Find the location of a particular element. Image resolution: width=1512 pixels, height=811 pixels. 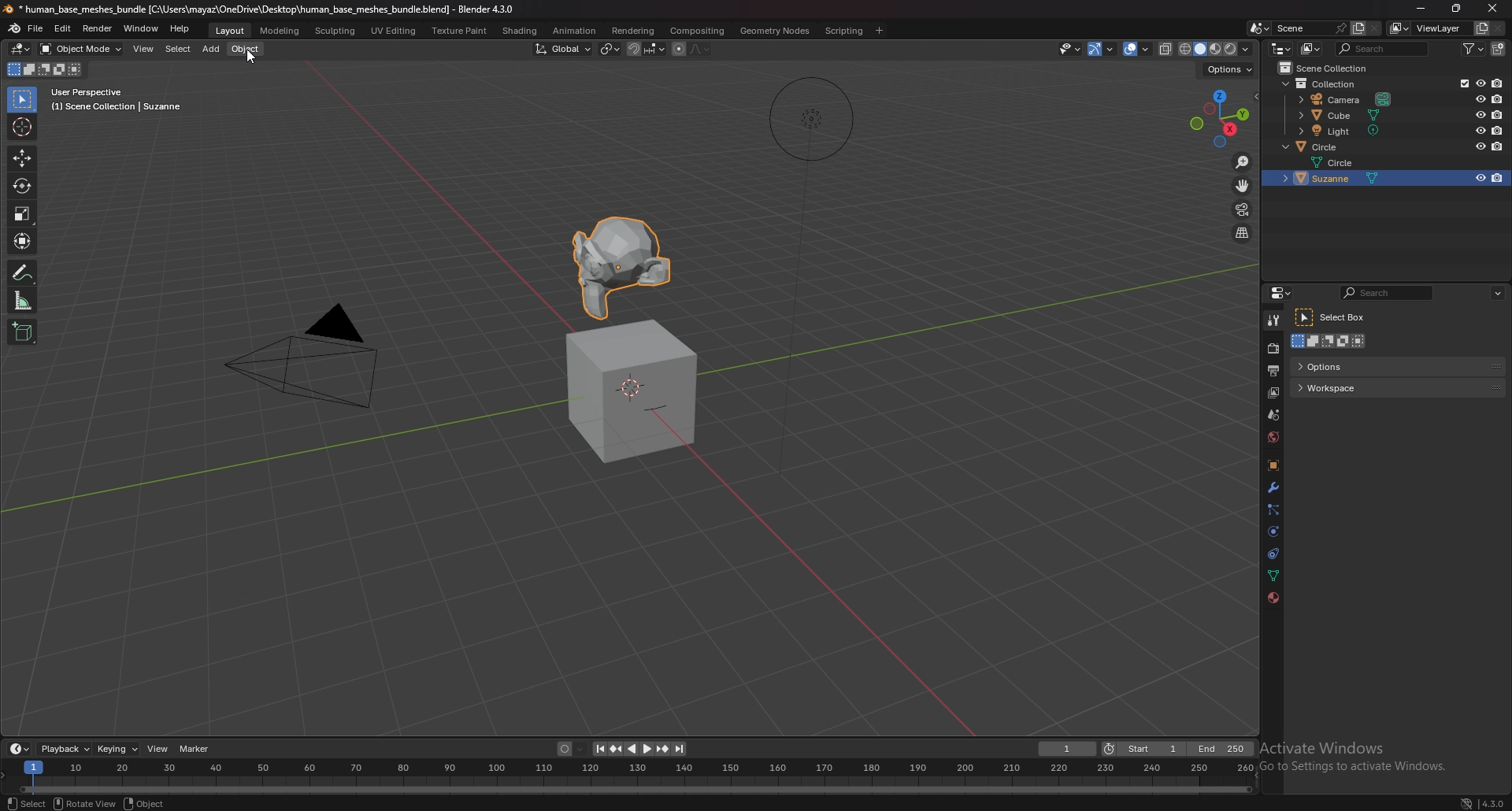

toggle xrays is located at coordinates (1166, 48).